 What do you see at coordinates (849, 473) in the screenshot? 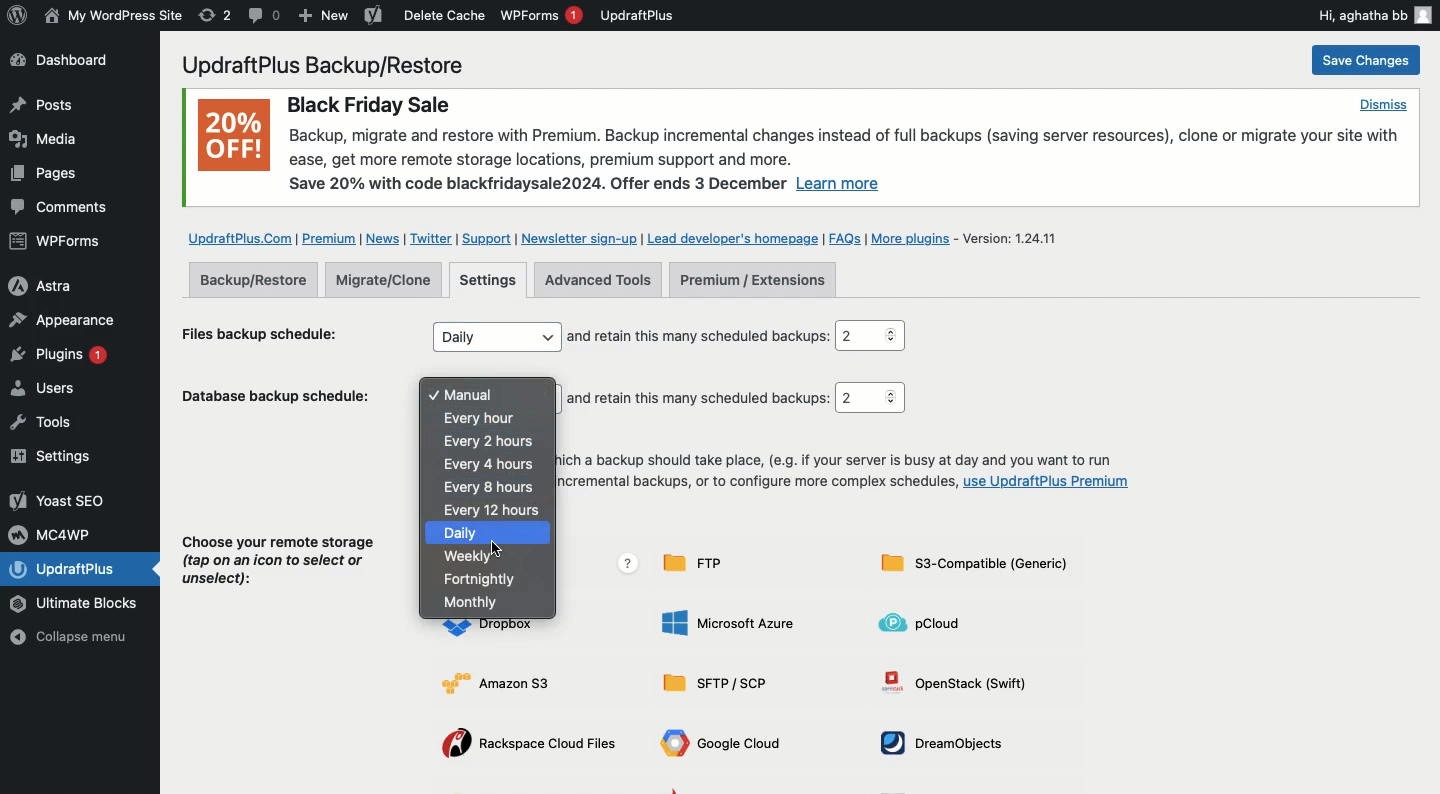
I see `To fix the time at which a backup should take place, (e.g. if your server is busy at day and you want to run
overnight), to take incremental backups, or to configure more complex schedules, use UpdraftPlus Premium` at bounding box center [849, 473].